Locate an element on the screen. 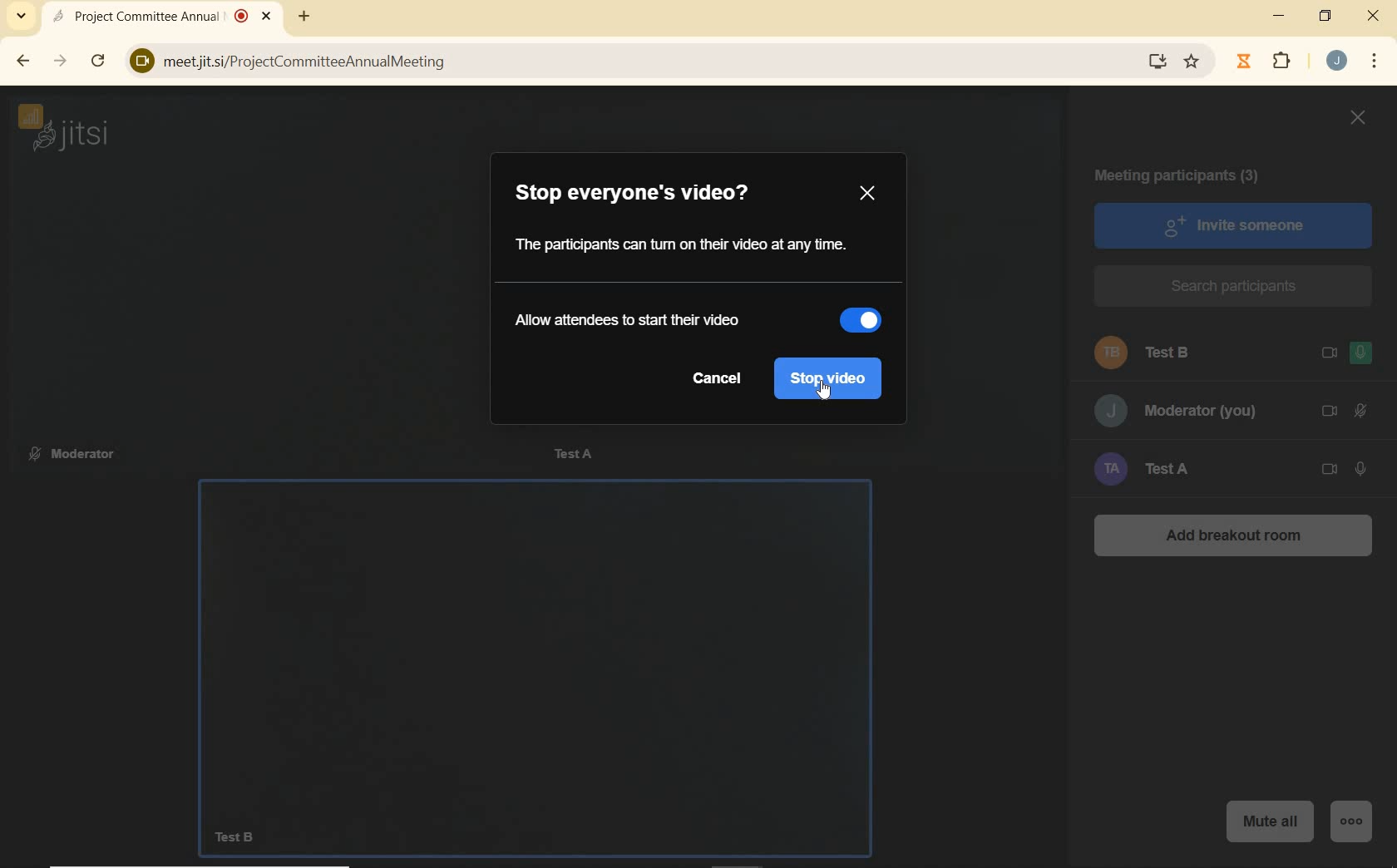 The height and width of the screenshot is (868, 1397). Moderator is located at coordinates (78, 452).